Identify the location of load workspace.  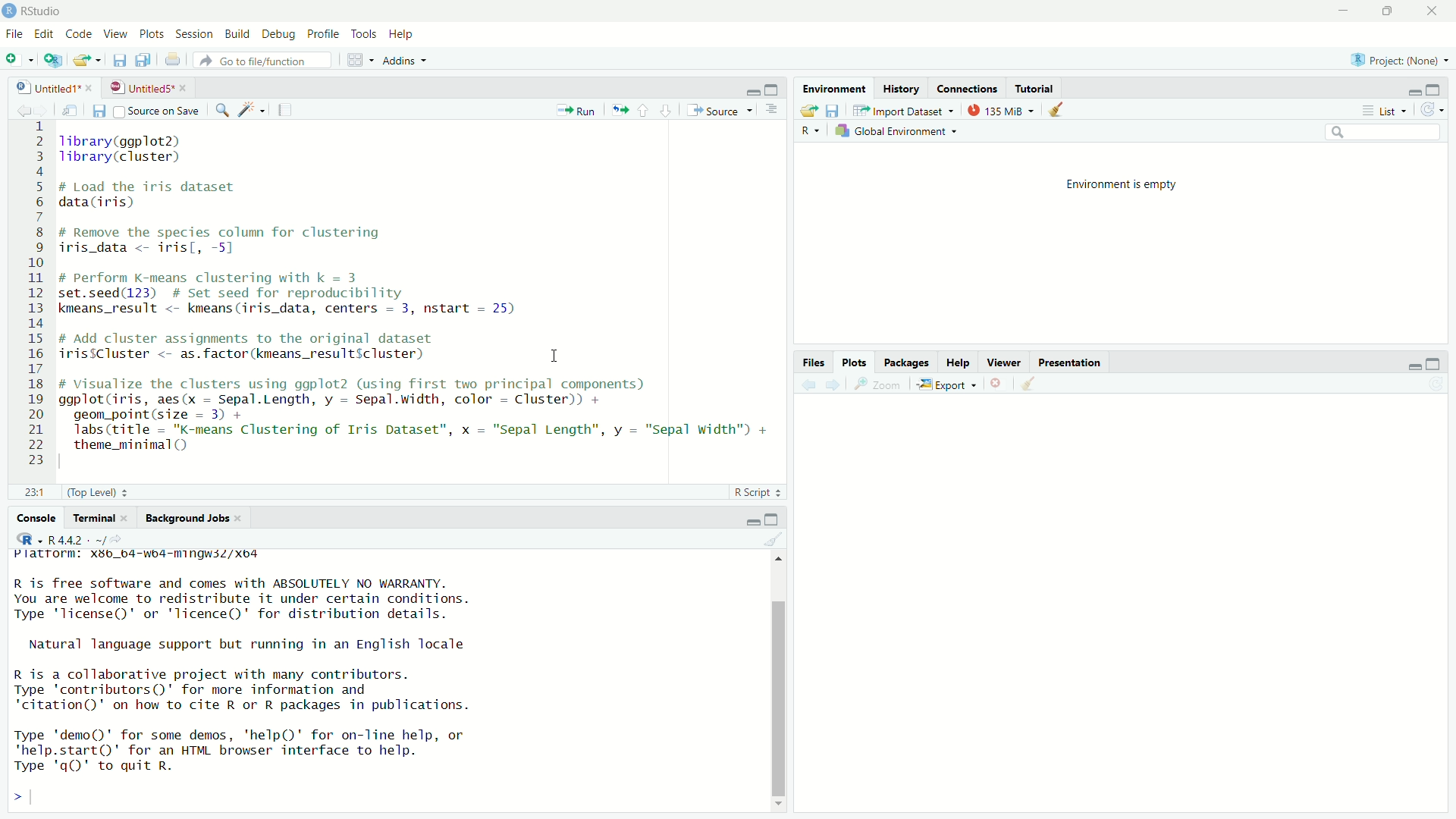
(804, 108).